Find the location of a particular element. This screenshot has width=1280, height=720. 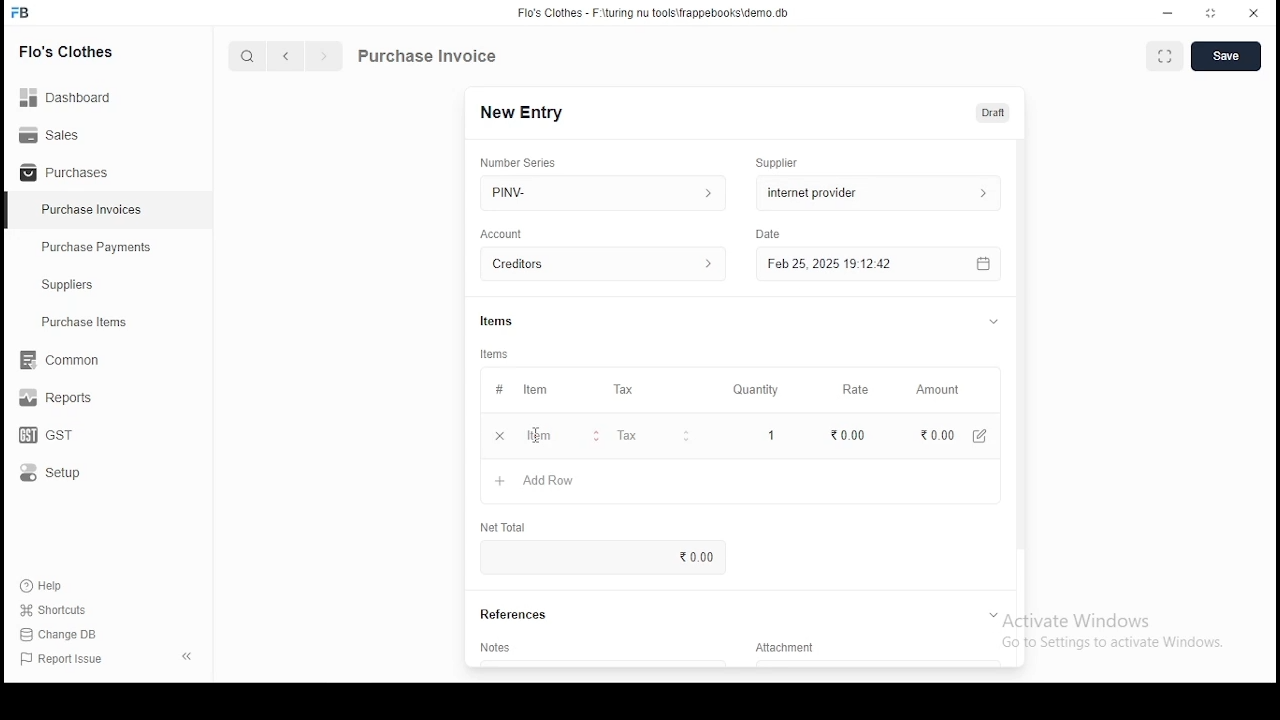

add row is located at coordinates (533, 482).